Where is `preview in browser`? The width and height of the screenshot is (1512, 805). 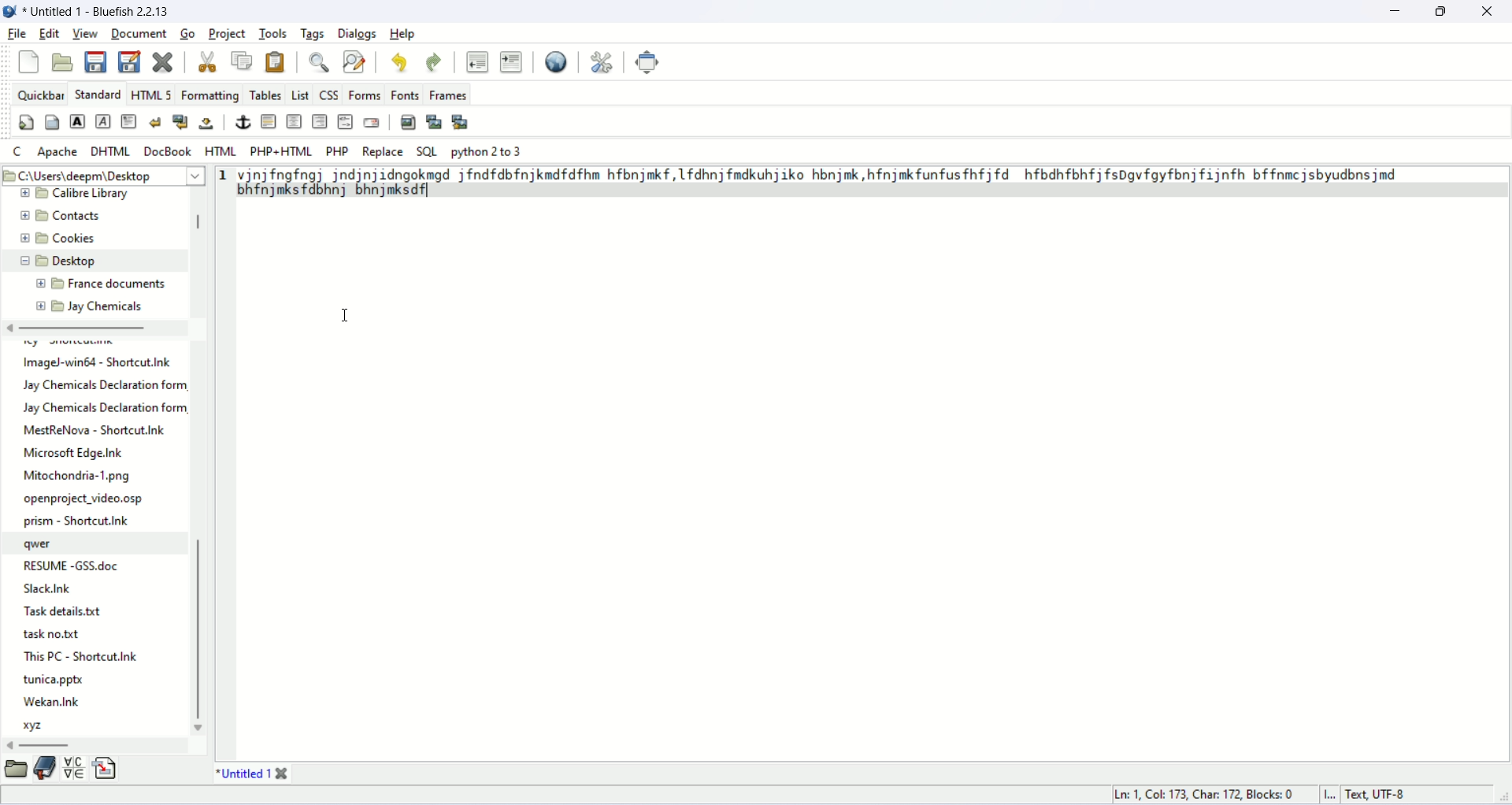 preview in browser is located at coordinates (558, 61).